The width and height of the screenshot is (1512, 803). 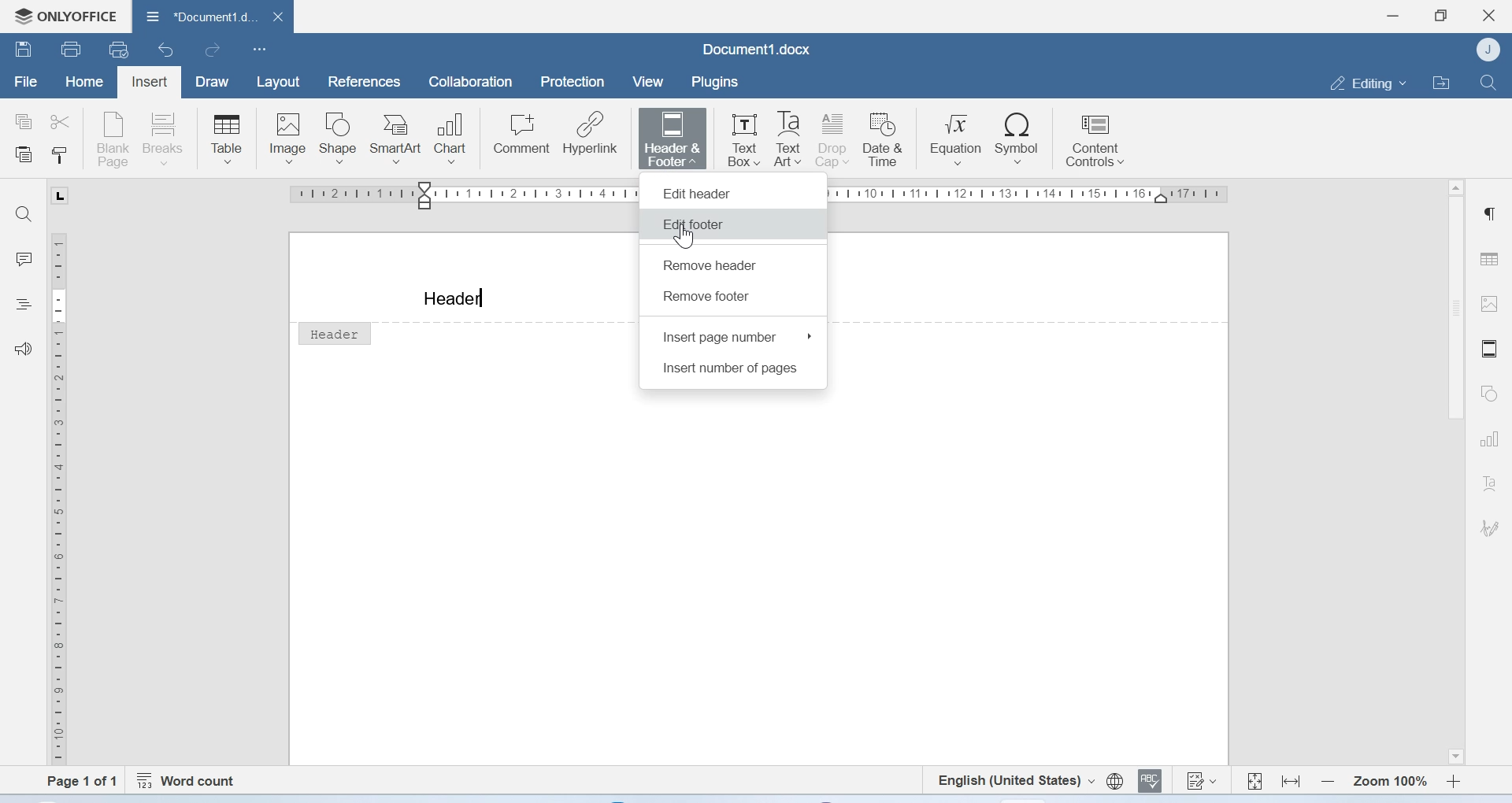 I want to click on Shapes, so click(x=1488, y=394).